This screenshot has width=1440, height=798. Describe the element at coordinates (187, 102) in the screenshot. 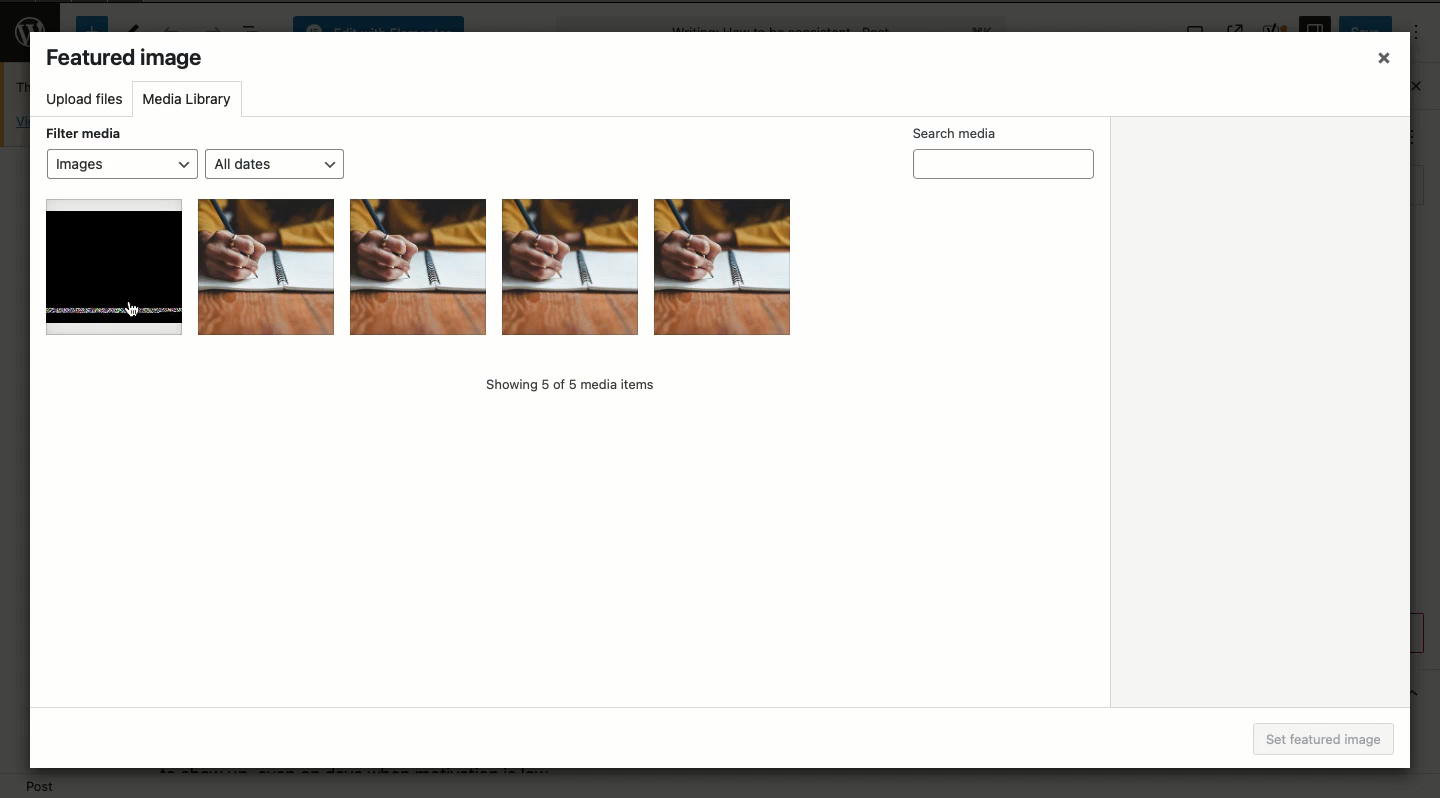

I see `Media library` at that location.